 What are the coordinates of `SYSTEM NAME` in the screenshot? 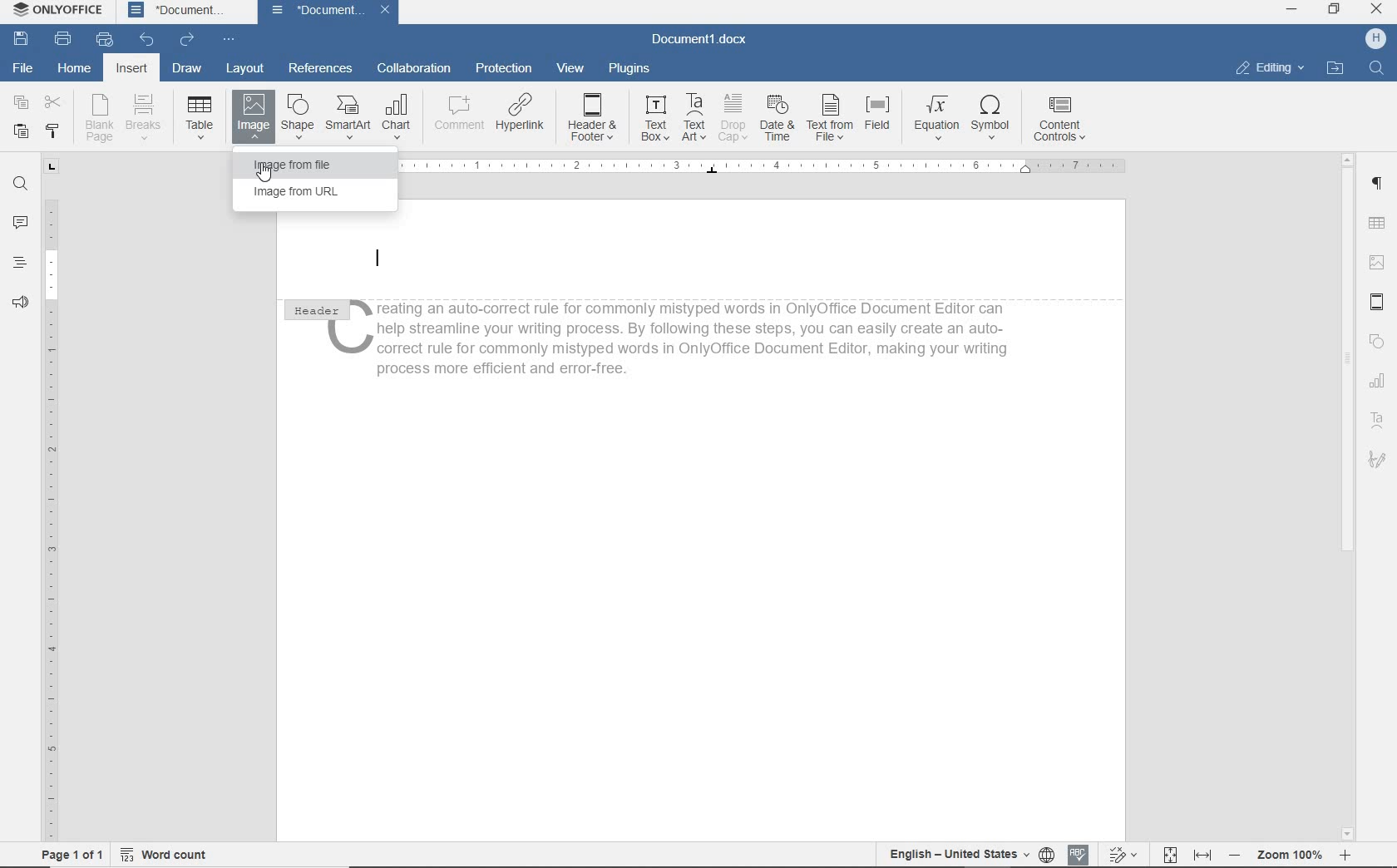 It's located at (54, 9).